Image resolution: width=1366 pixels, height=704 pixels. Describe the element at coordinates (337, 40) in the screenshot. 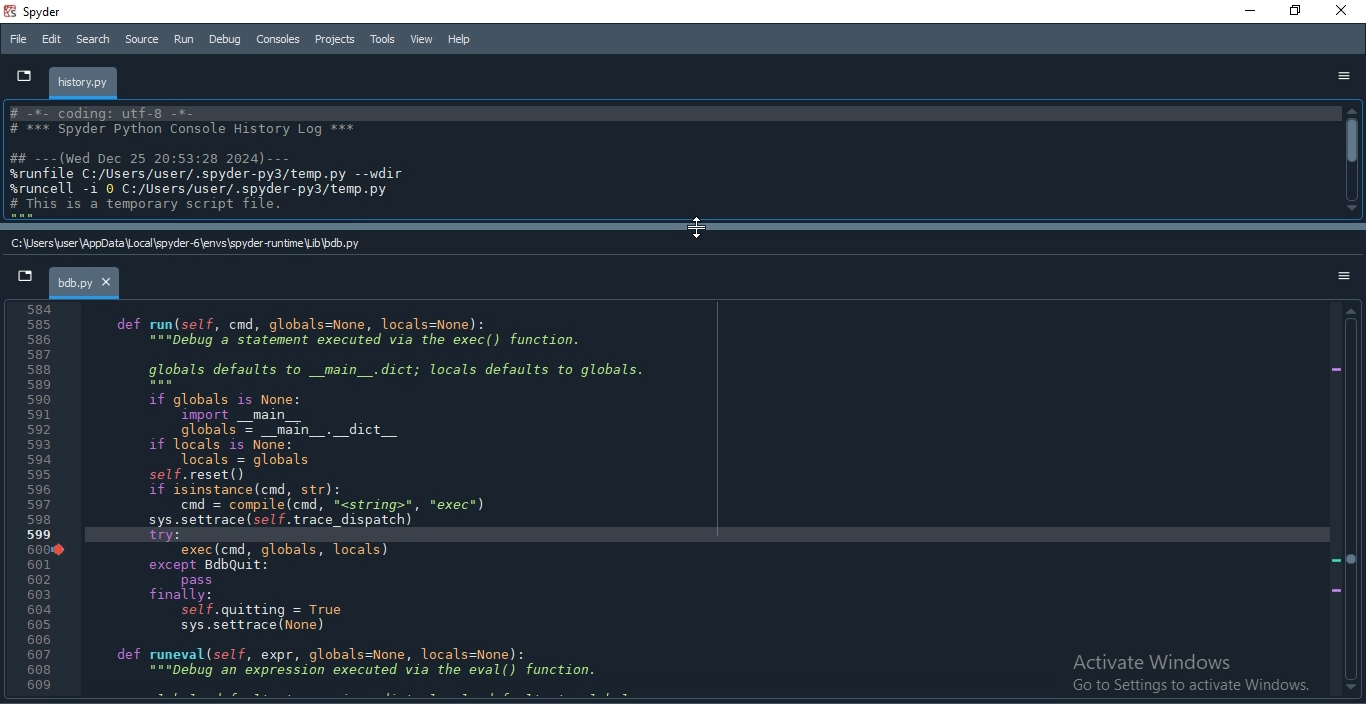

I see `Projects` at that location.